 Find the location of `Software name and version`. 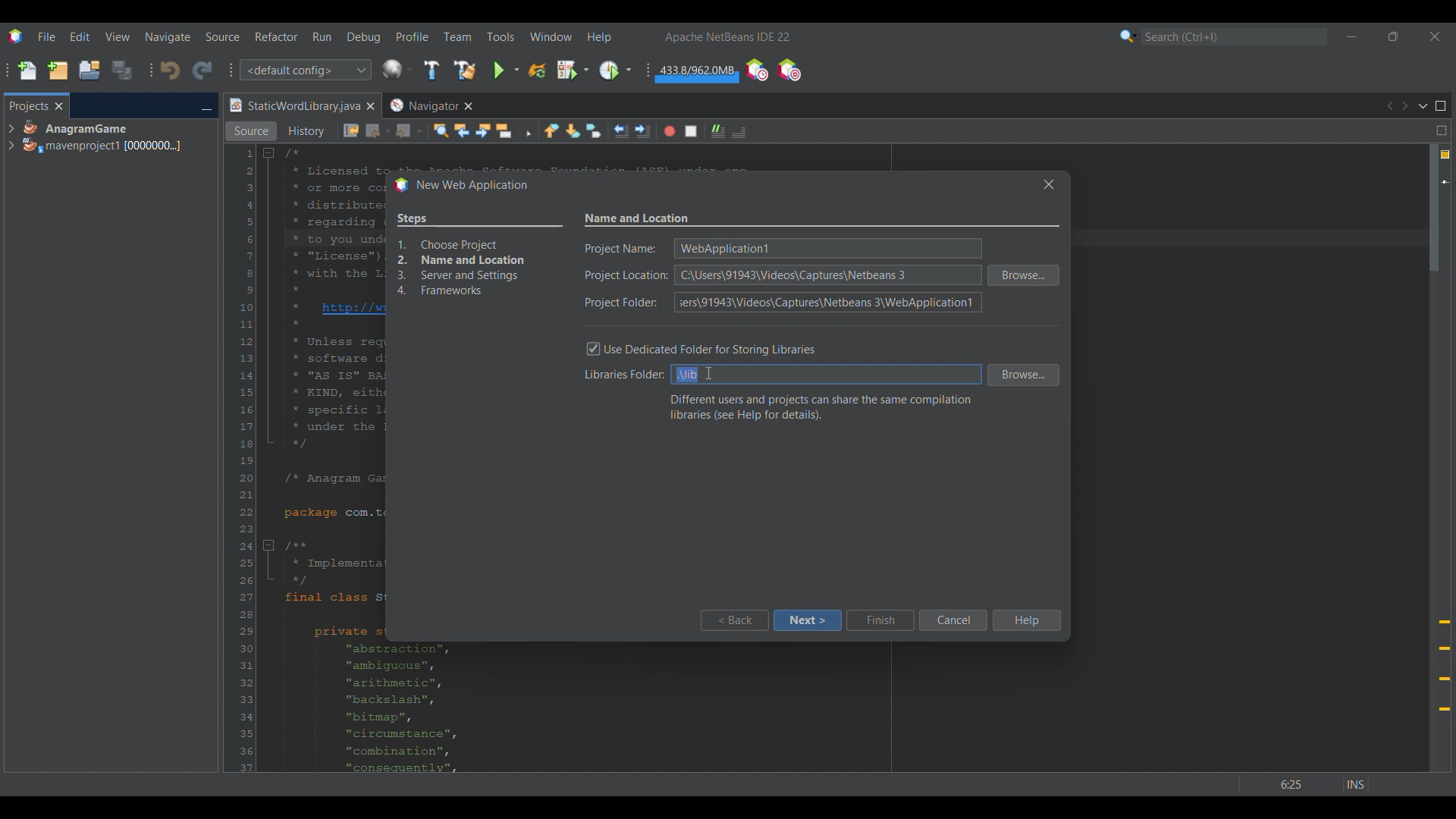

Software name and version is located at coordinates (728, 36).